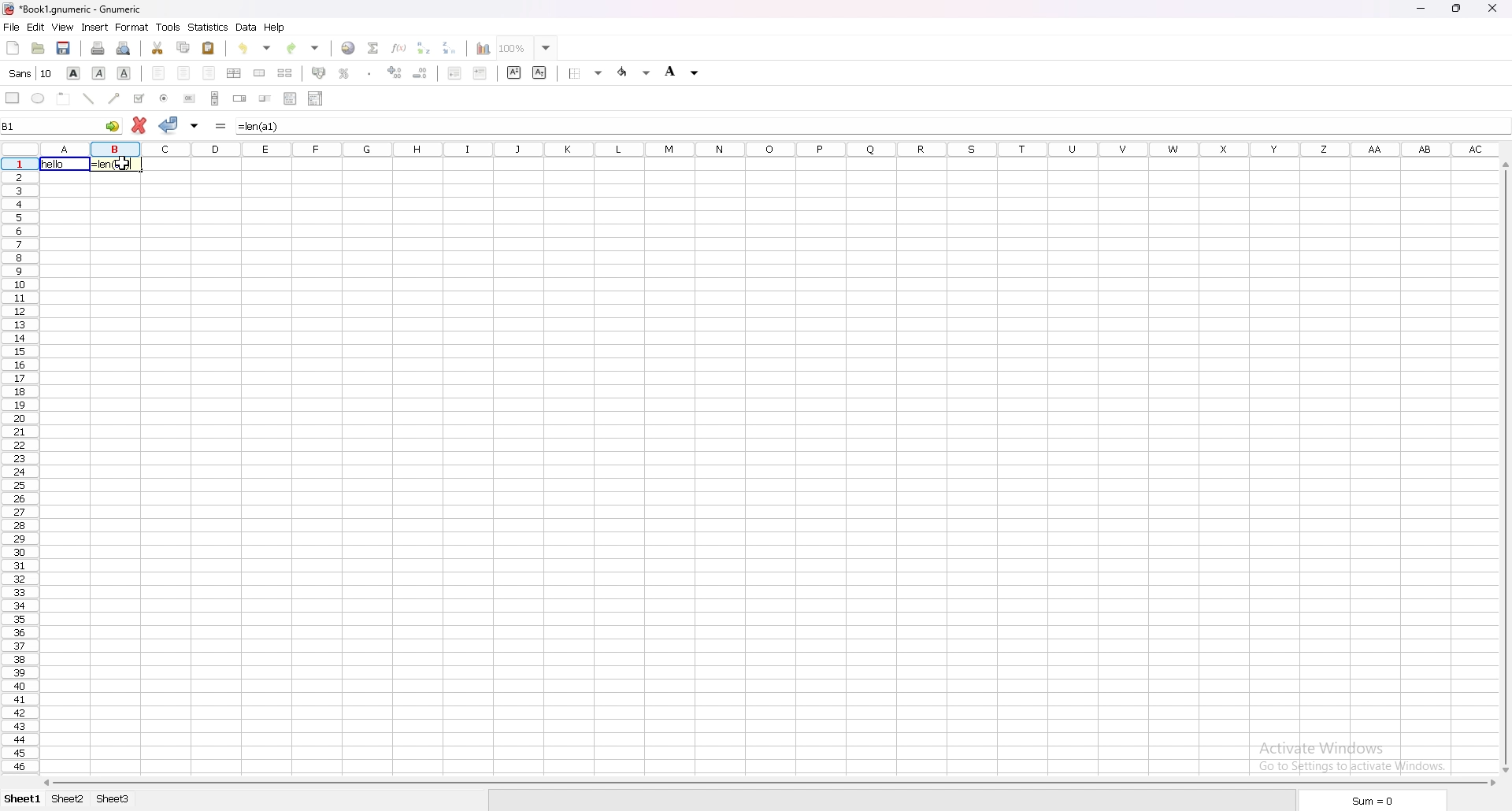  Describe the element at coordinates (63, 124) in the screenshot. I see `selected cell` at that location.